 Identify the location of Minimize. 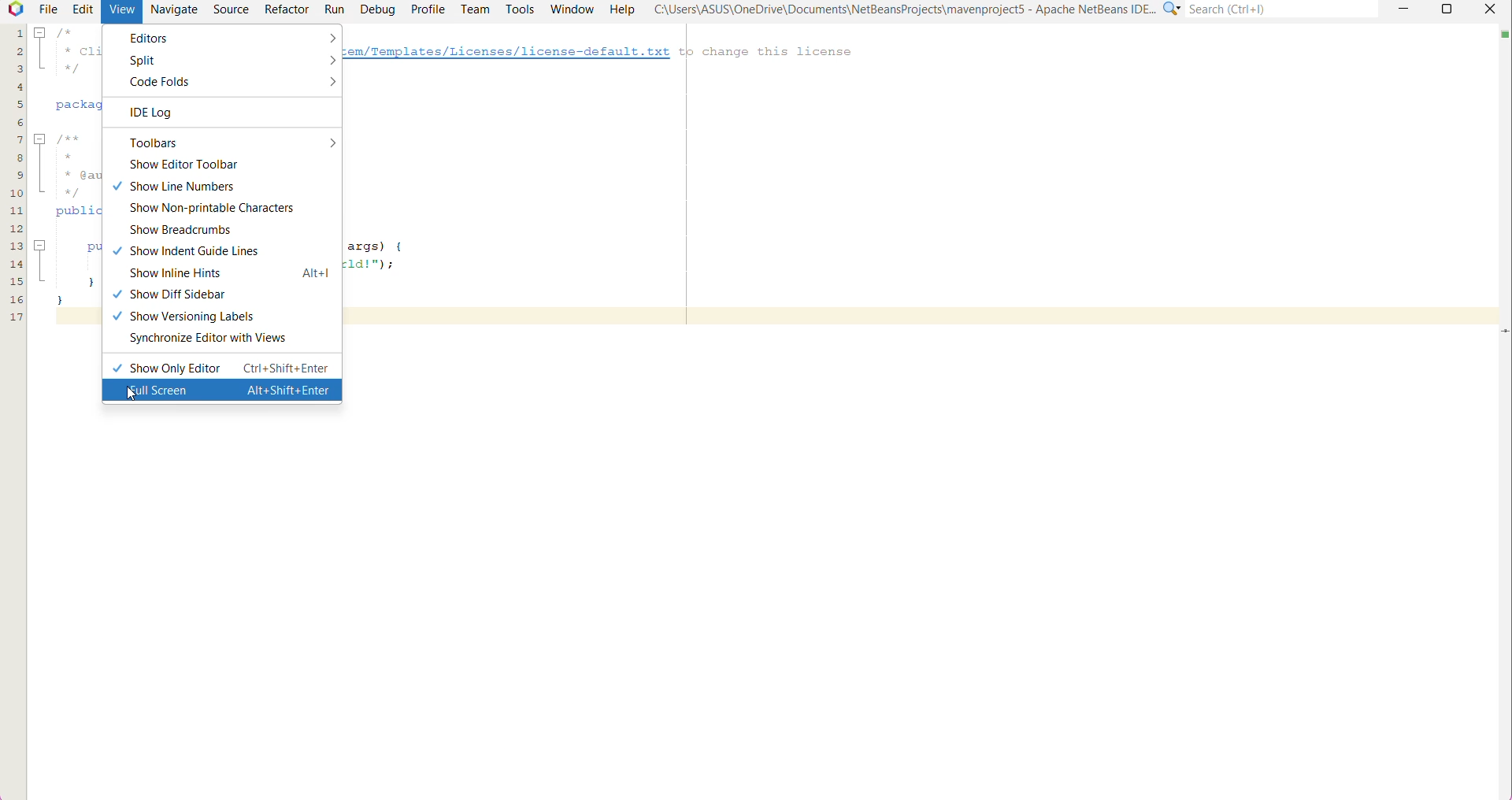
(1403, 9).